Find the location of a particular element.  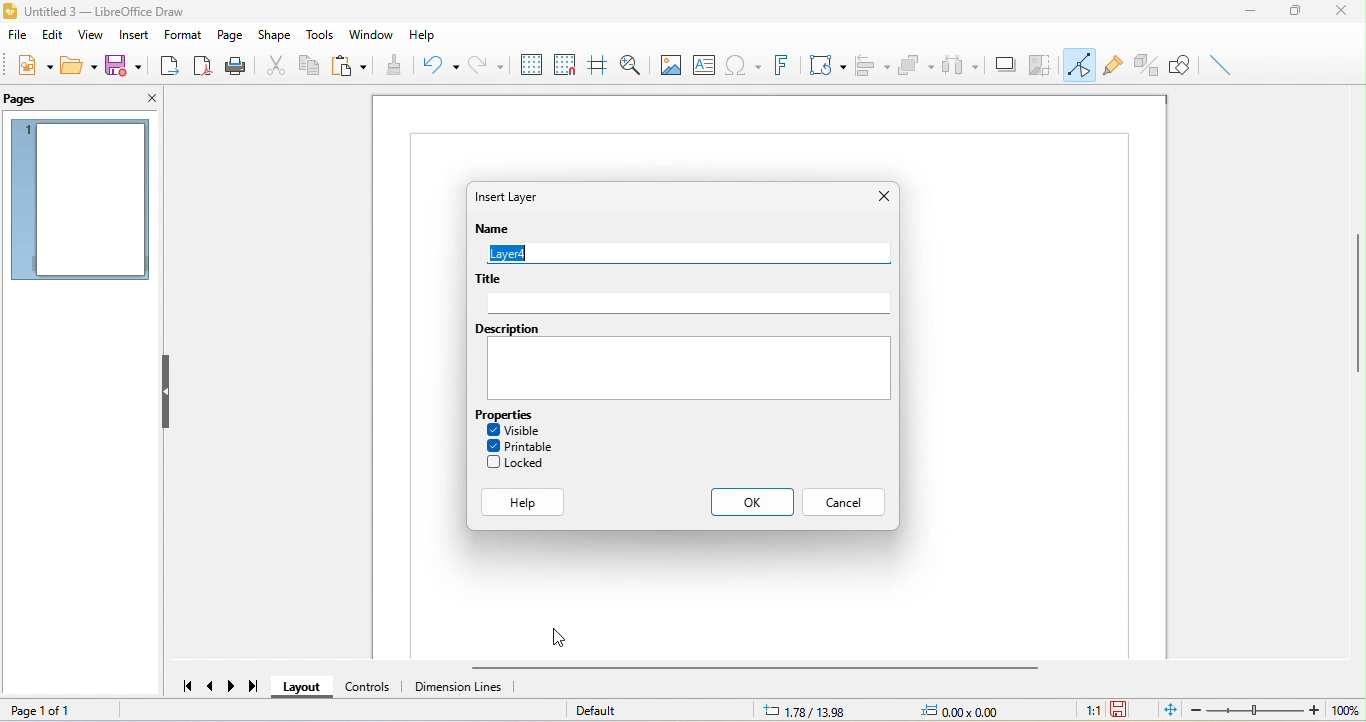

copy is located at coordinates (310, 65).